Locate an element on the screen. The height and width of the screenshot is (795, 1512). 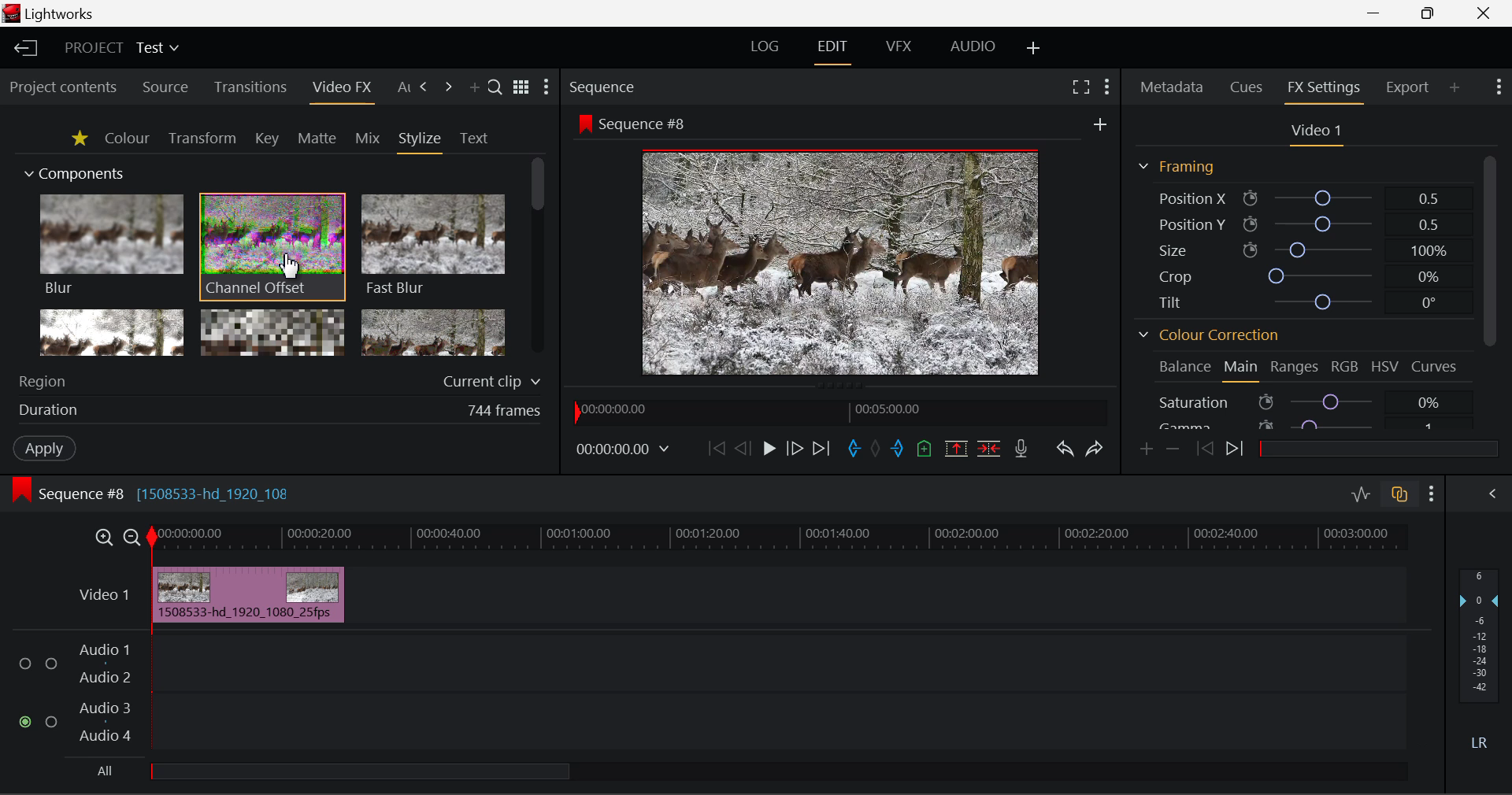
Mosaic is located at coordinates (272, 331).